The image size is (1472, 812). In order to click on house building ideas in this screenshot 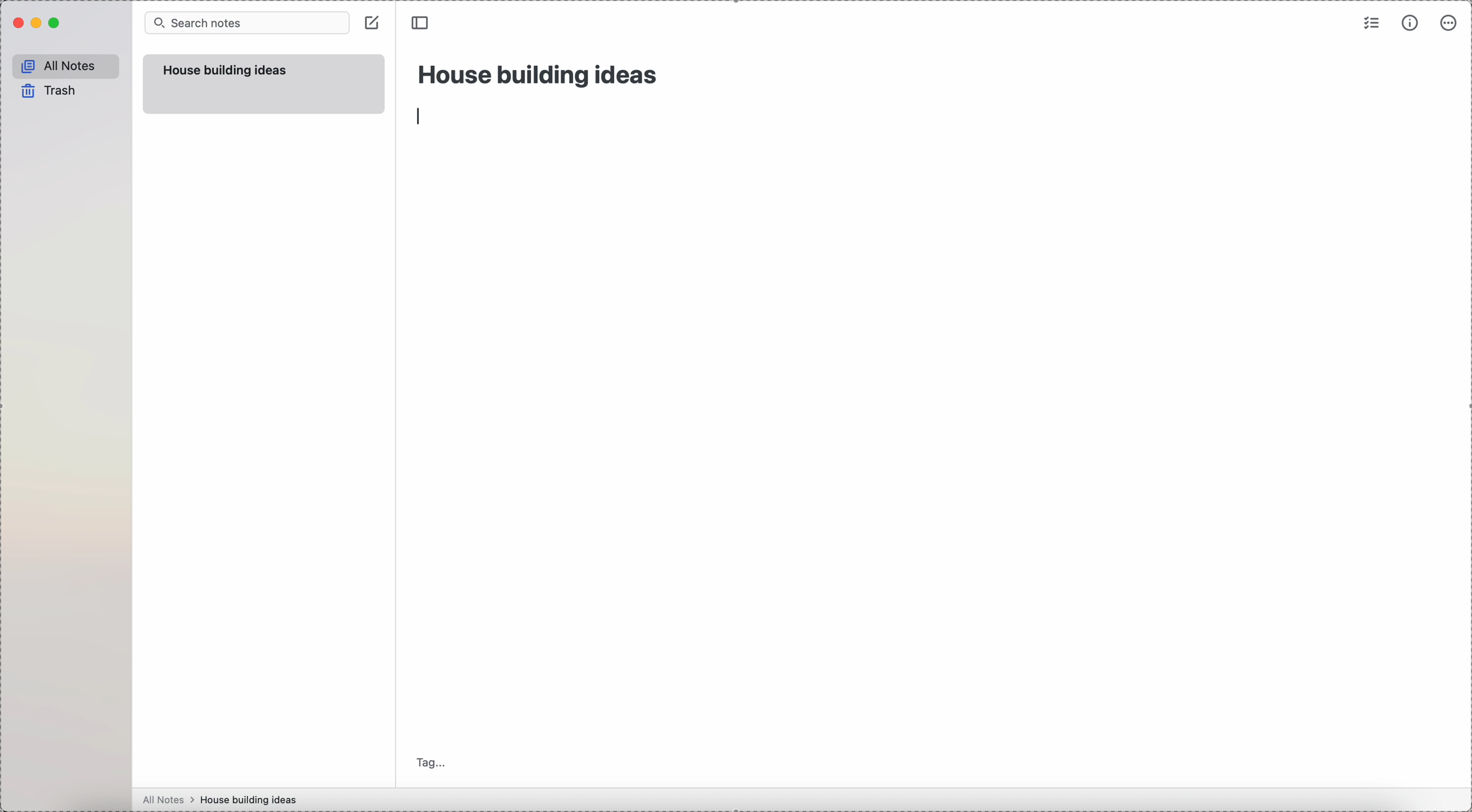, I will do `click(226, 74)`.